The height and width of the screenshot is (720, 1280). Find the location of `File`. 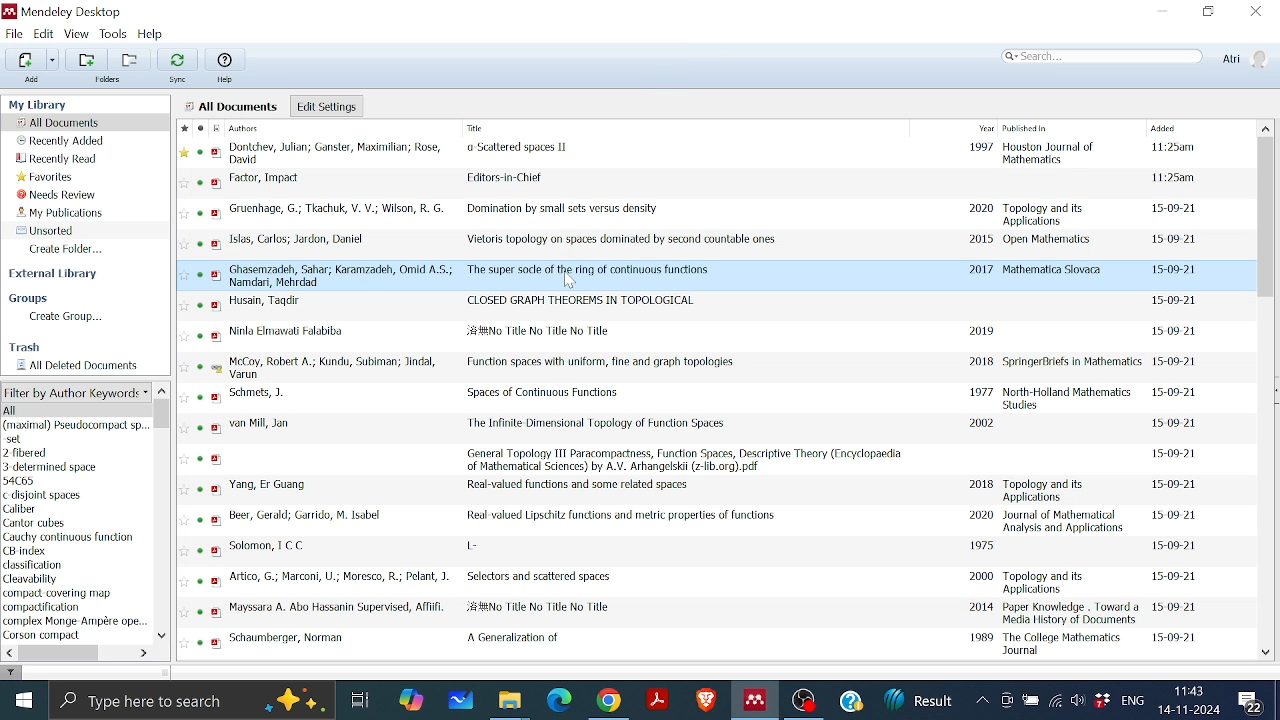

File is located at coordinates (14, 34).